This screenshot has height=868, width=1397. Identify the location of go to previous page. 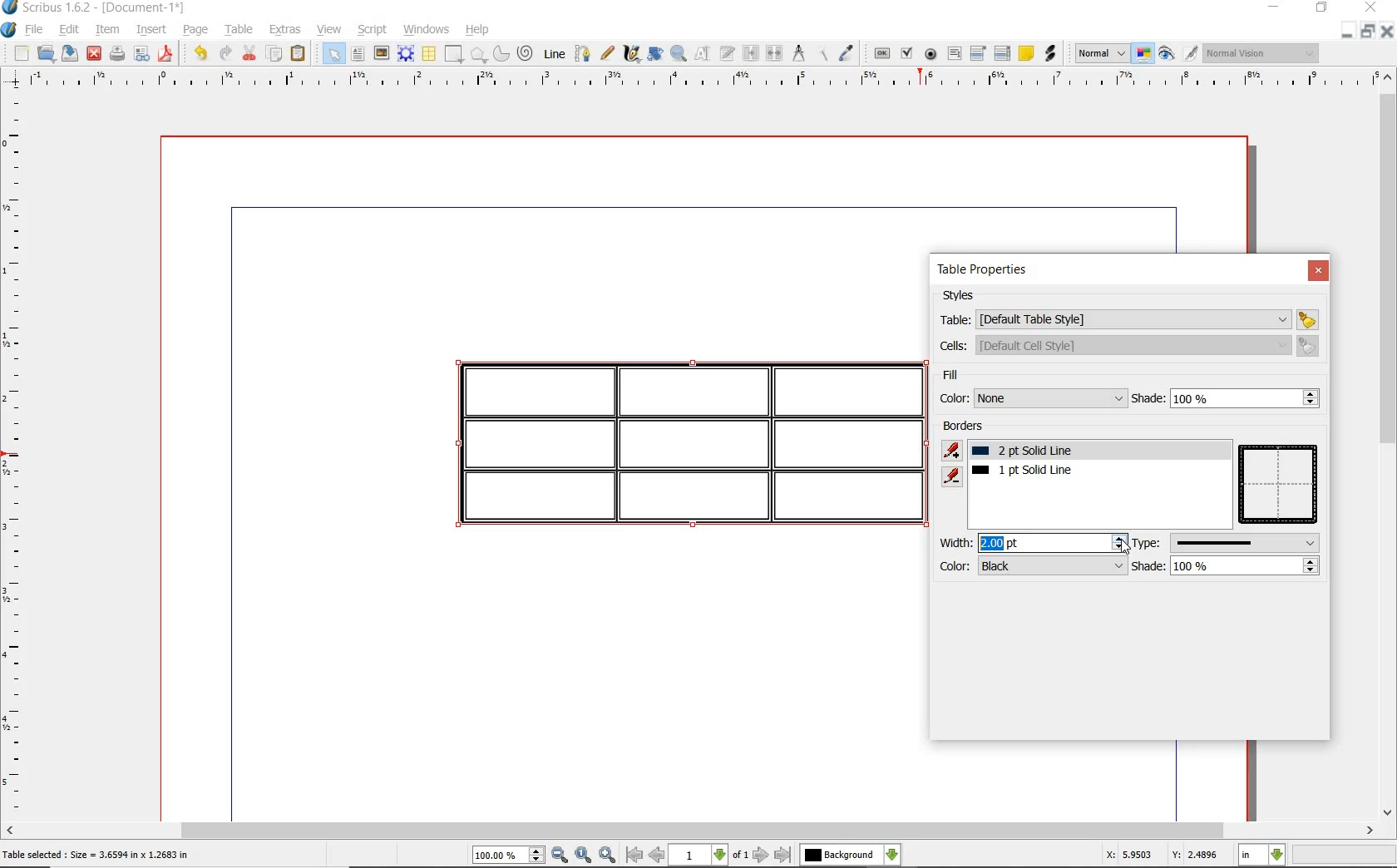
(657, 856).